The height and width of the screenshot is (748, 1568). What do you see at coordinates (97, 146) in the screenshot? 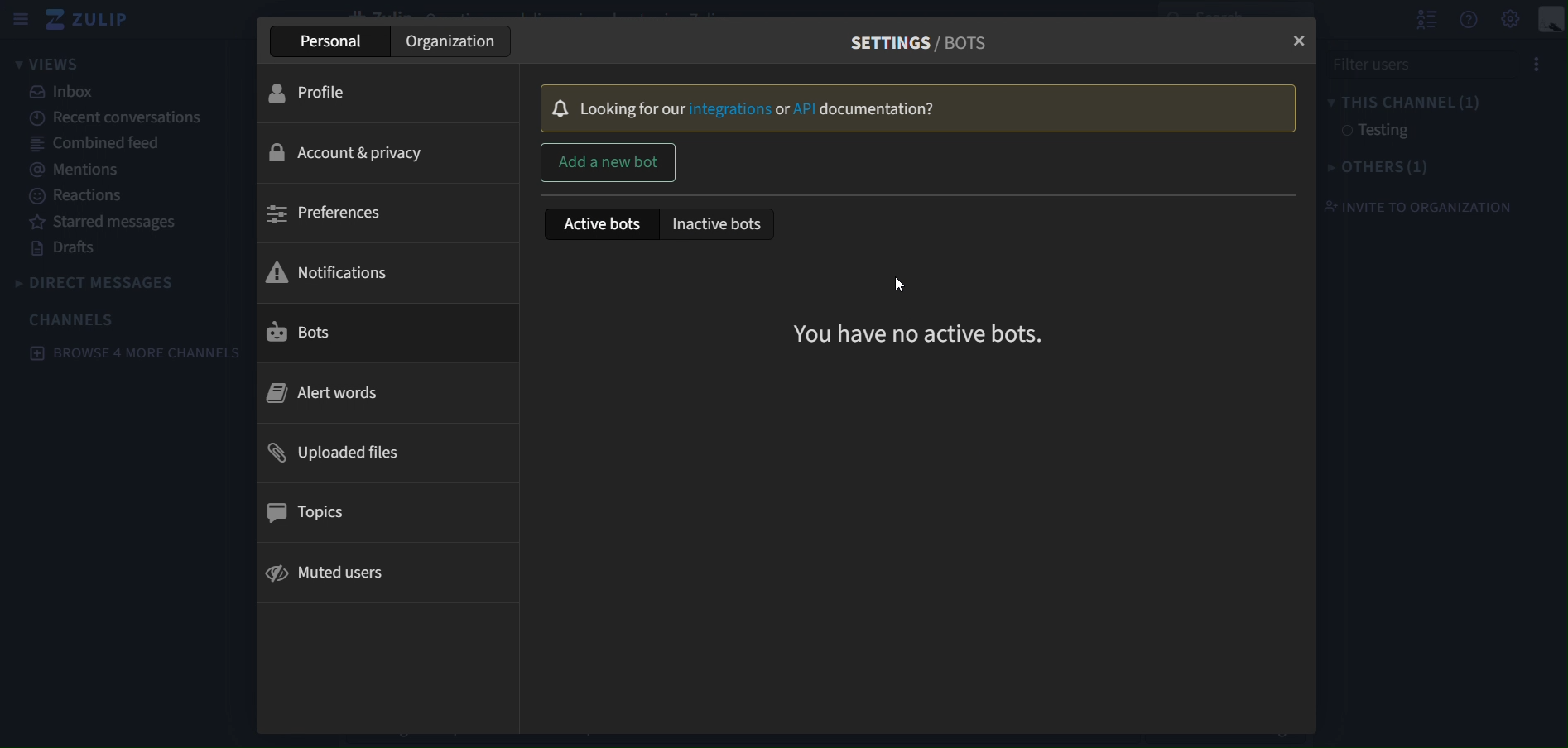
I see `combined feed` at bounding box center [97, 146].